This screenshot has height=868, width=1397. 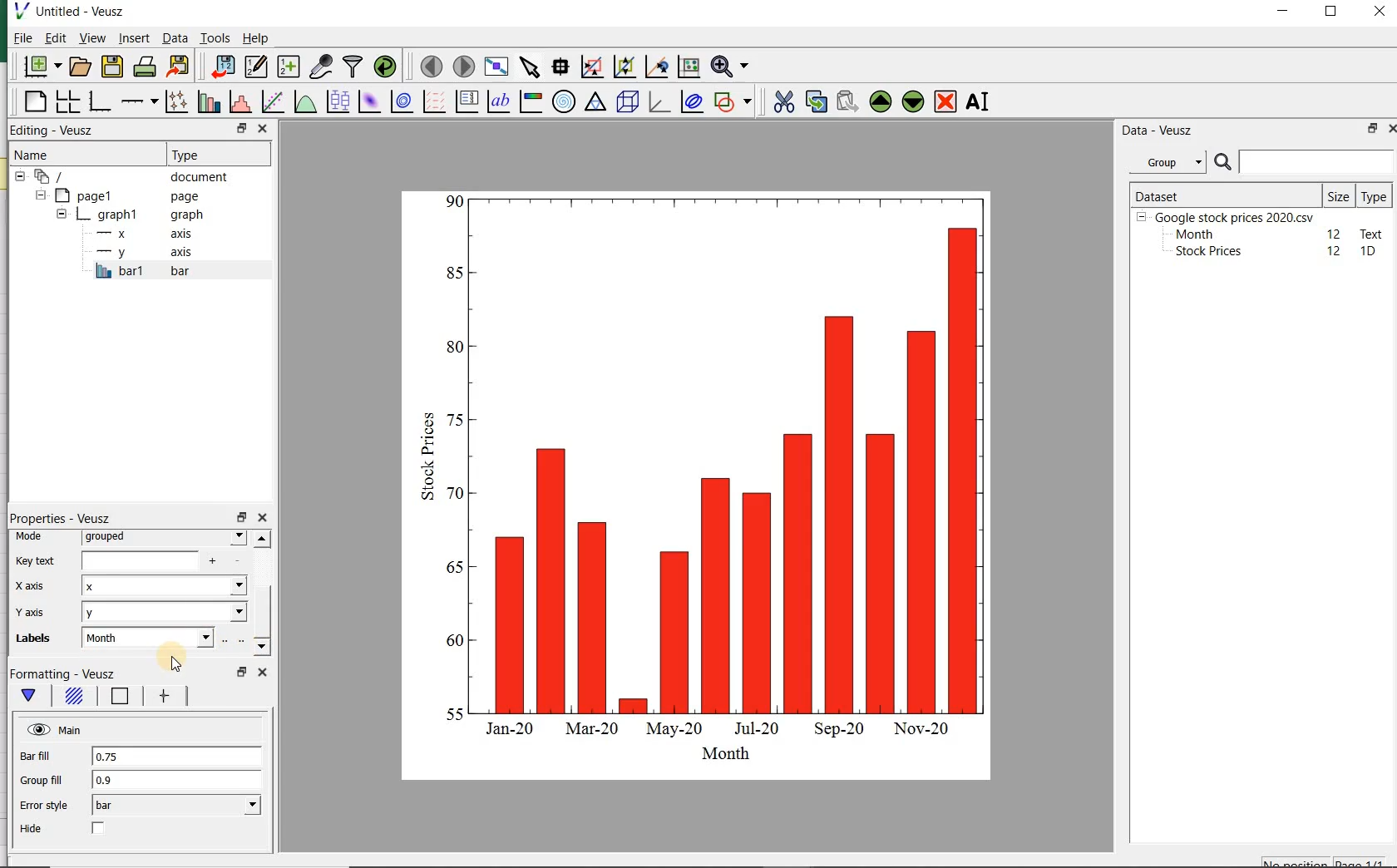 I want to click on plot a function, so click(x=304, y=103).